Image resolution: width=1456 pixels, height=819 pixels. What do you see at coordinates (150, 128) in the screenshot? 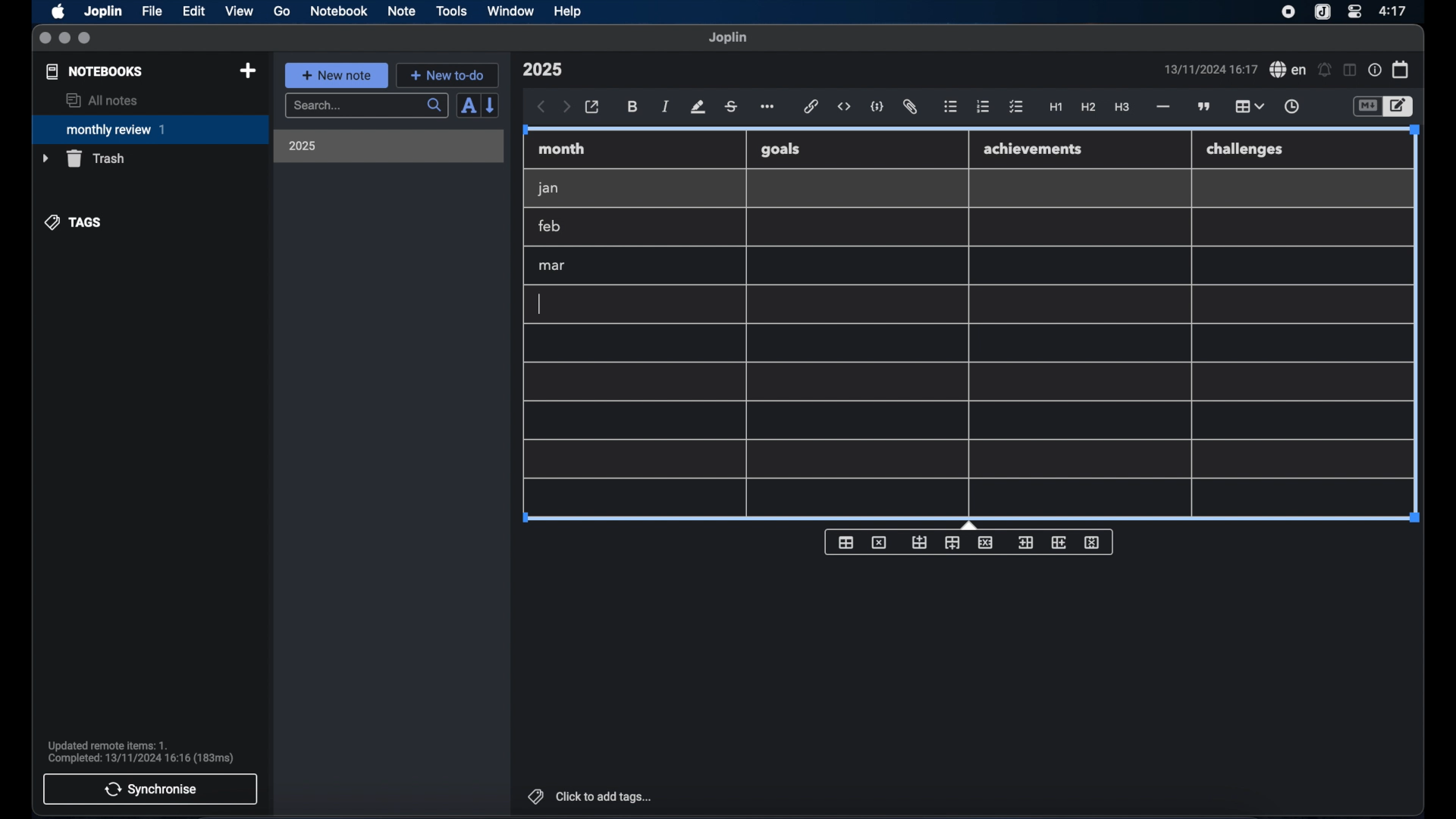
I see `monthly review` at bounding box center [150, 128].